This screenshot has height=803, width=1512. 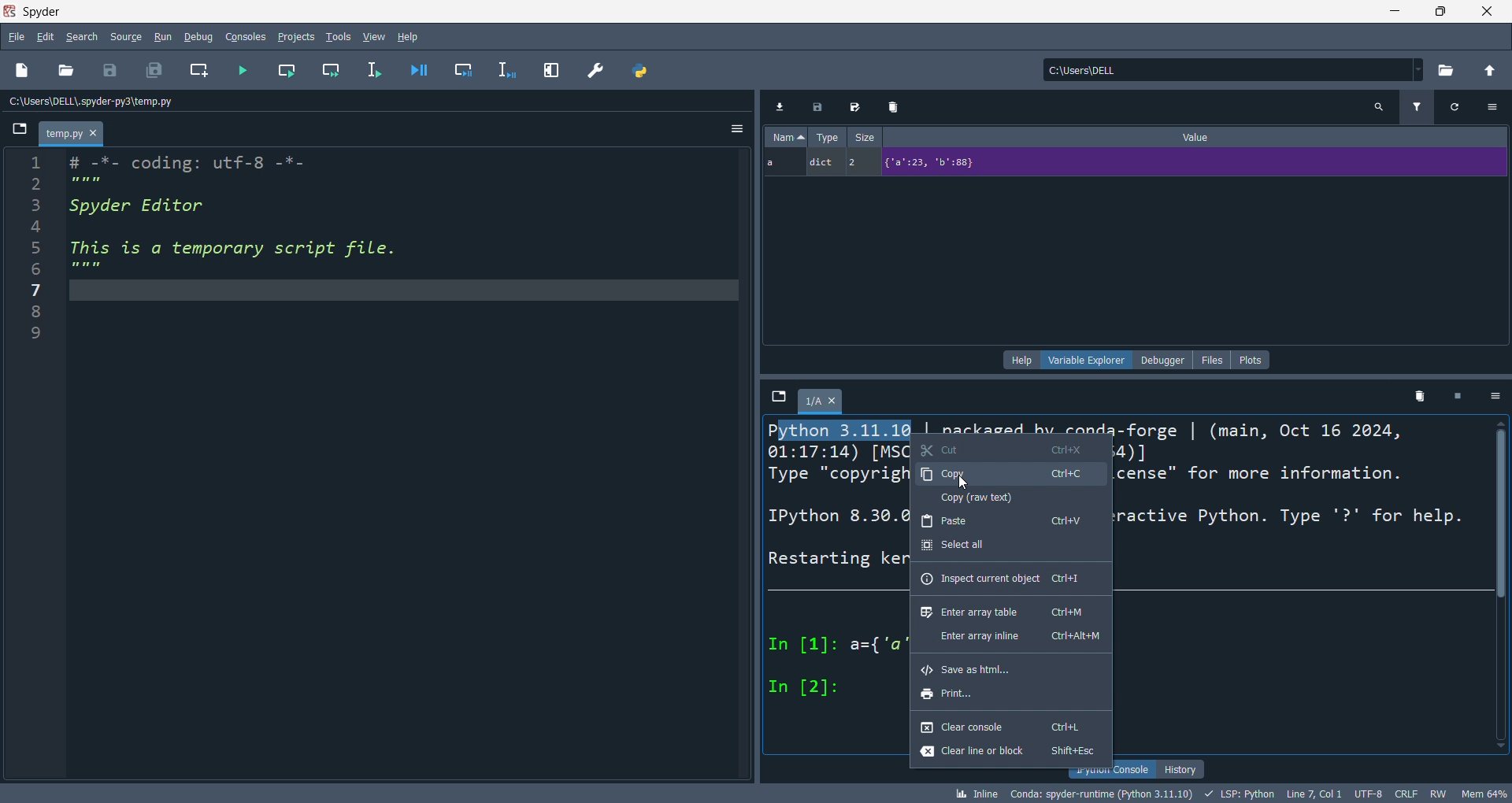 I want to click on edit, so click(x=46, y=36).